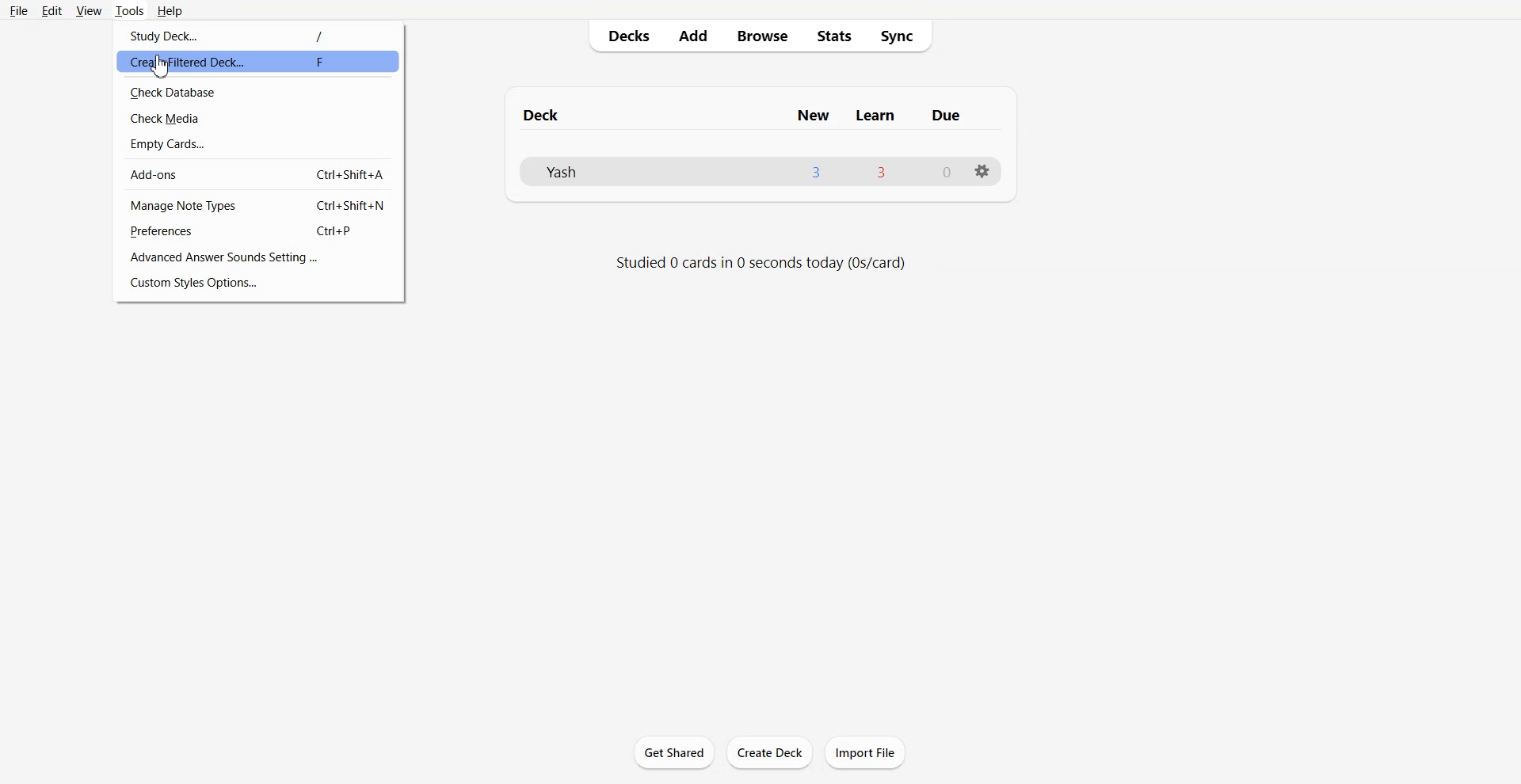  Describe the element at coordinates (623, 36) in the screenshot. I see `Decks` at that location.